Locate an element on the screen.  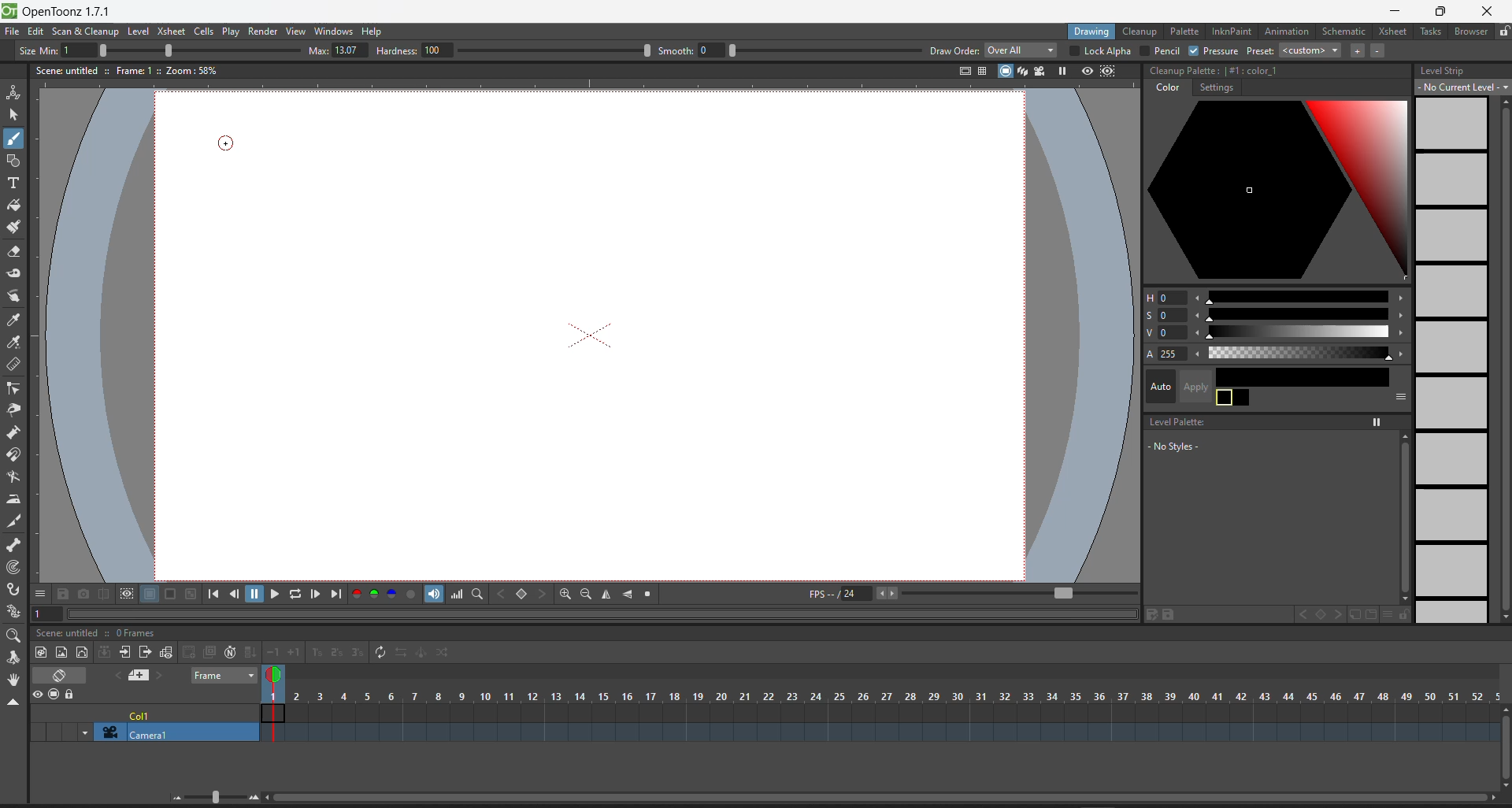
cursor is located at coordinates (228, 146).